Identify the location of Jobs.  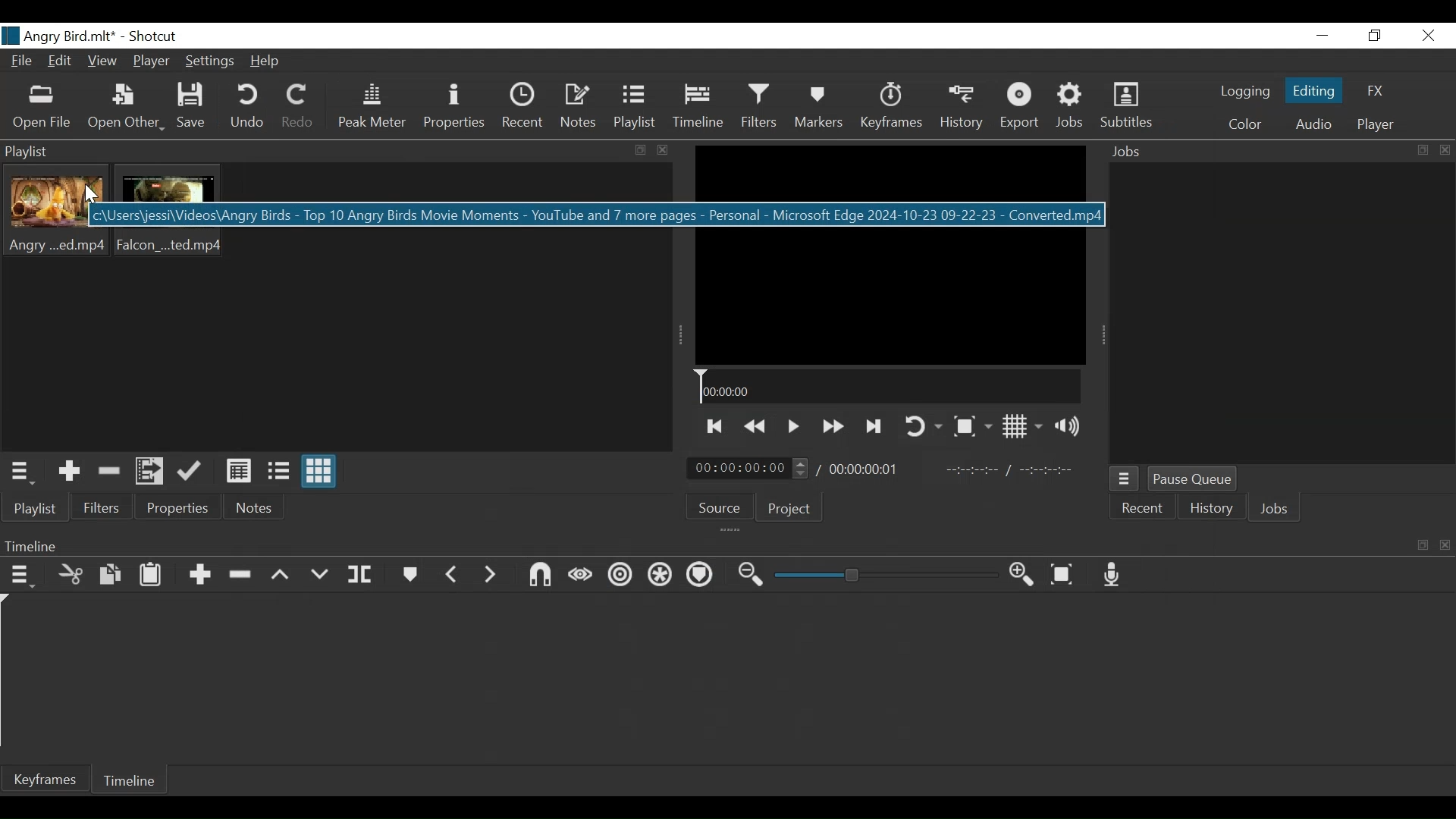
(1272, 508).